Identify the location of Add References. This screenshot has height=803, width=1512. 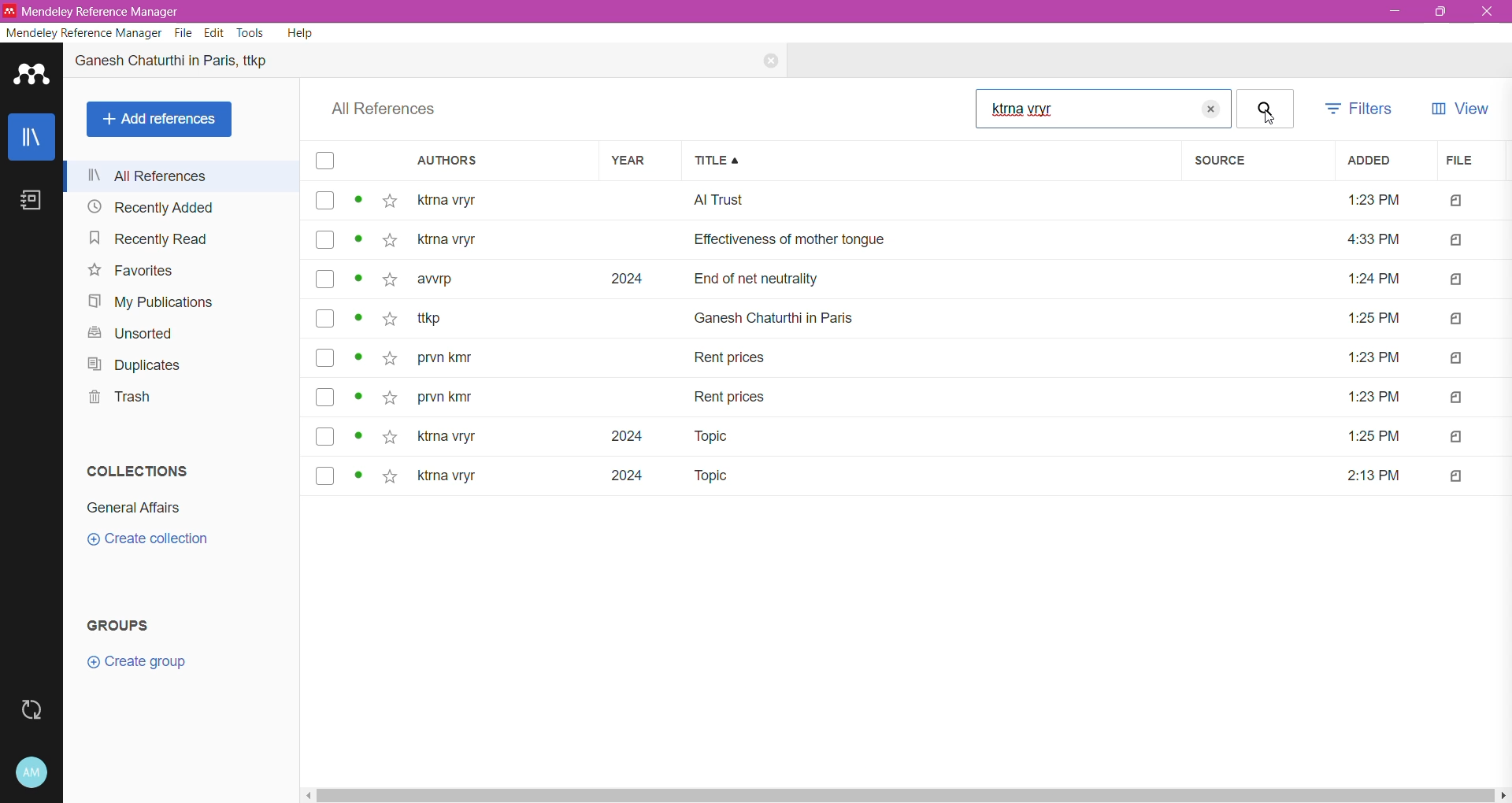
(159, 120).